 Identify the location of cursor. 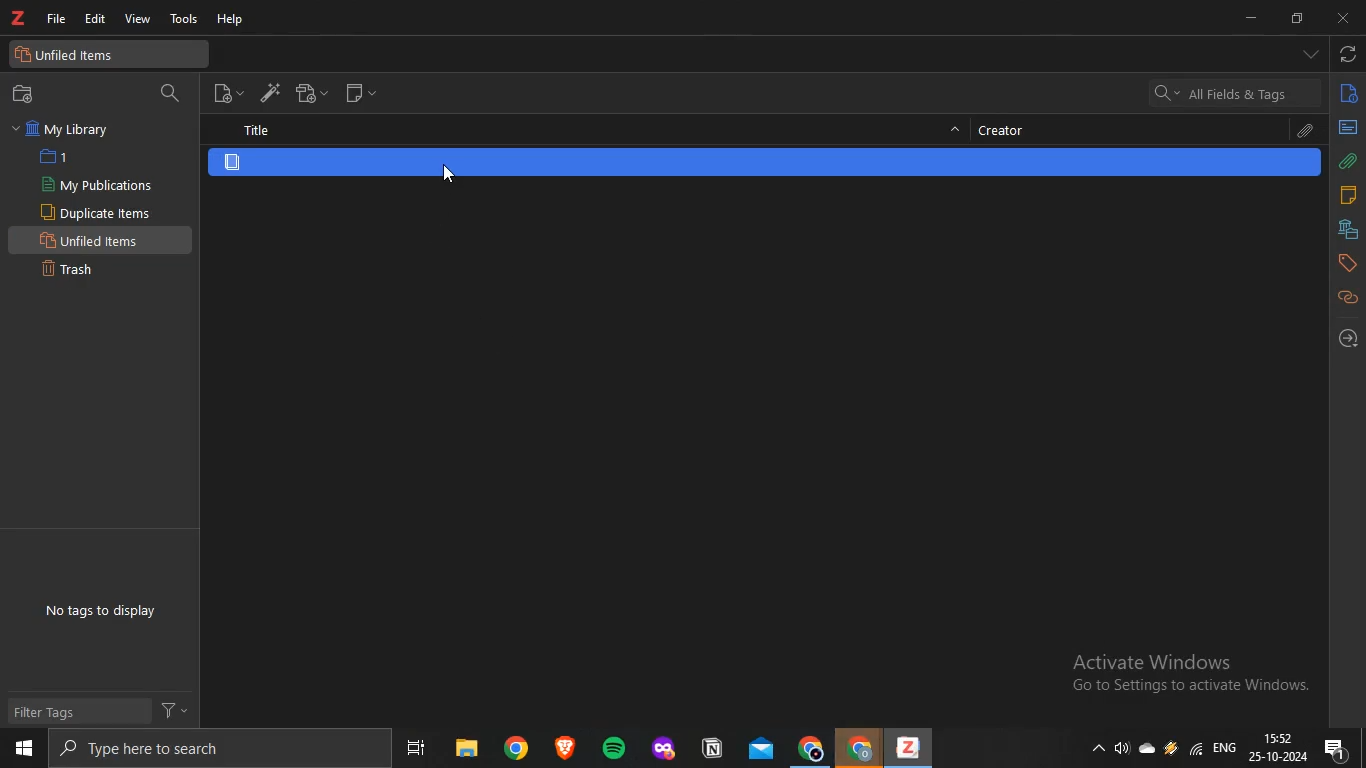
(449, 176).